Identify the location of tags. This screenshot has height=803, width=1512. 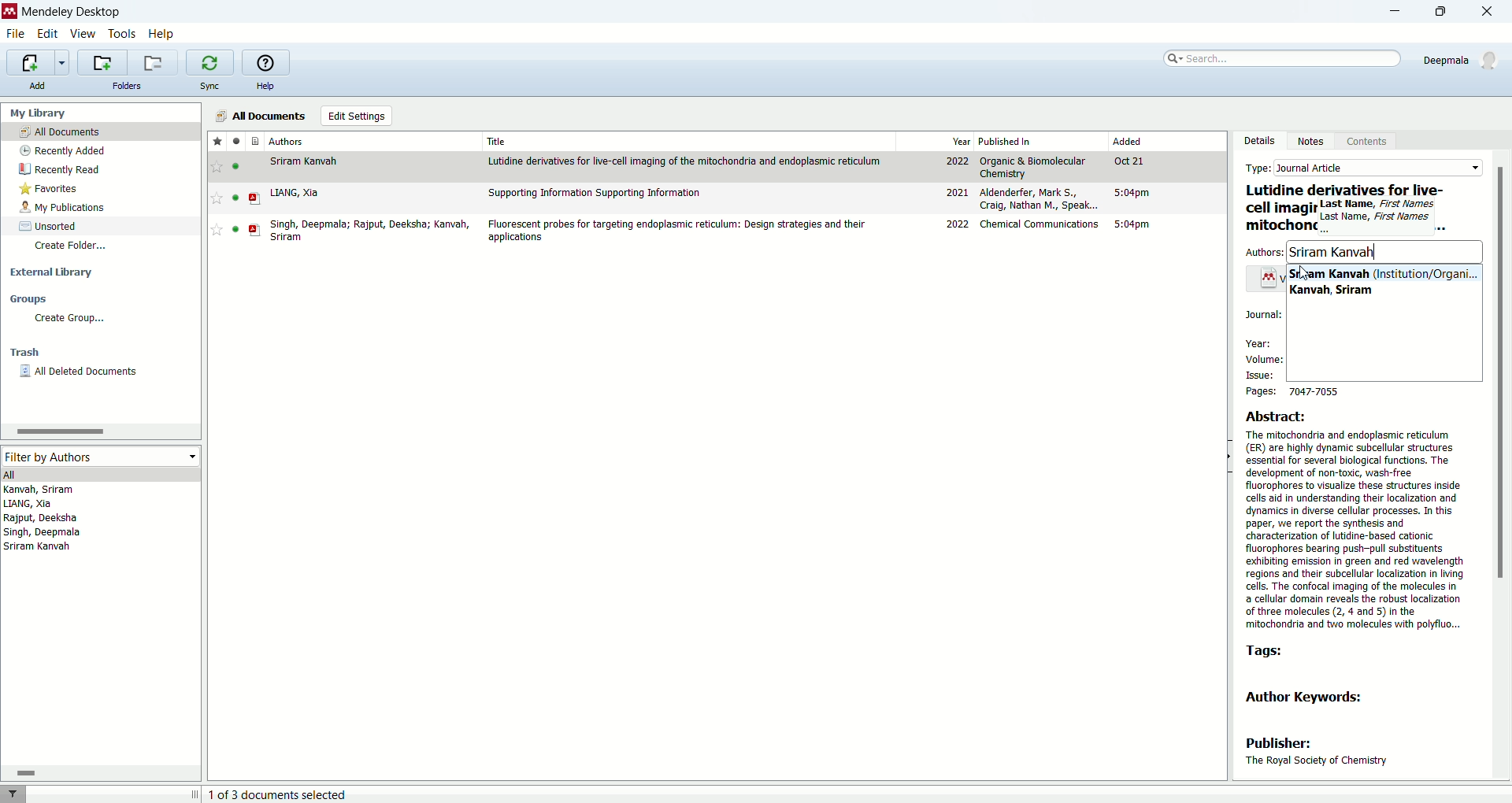
(1266, 652).